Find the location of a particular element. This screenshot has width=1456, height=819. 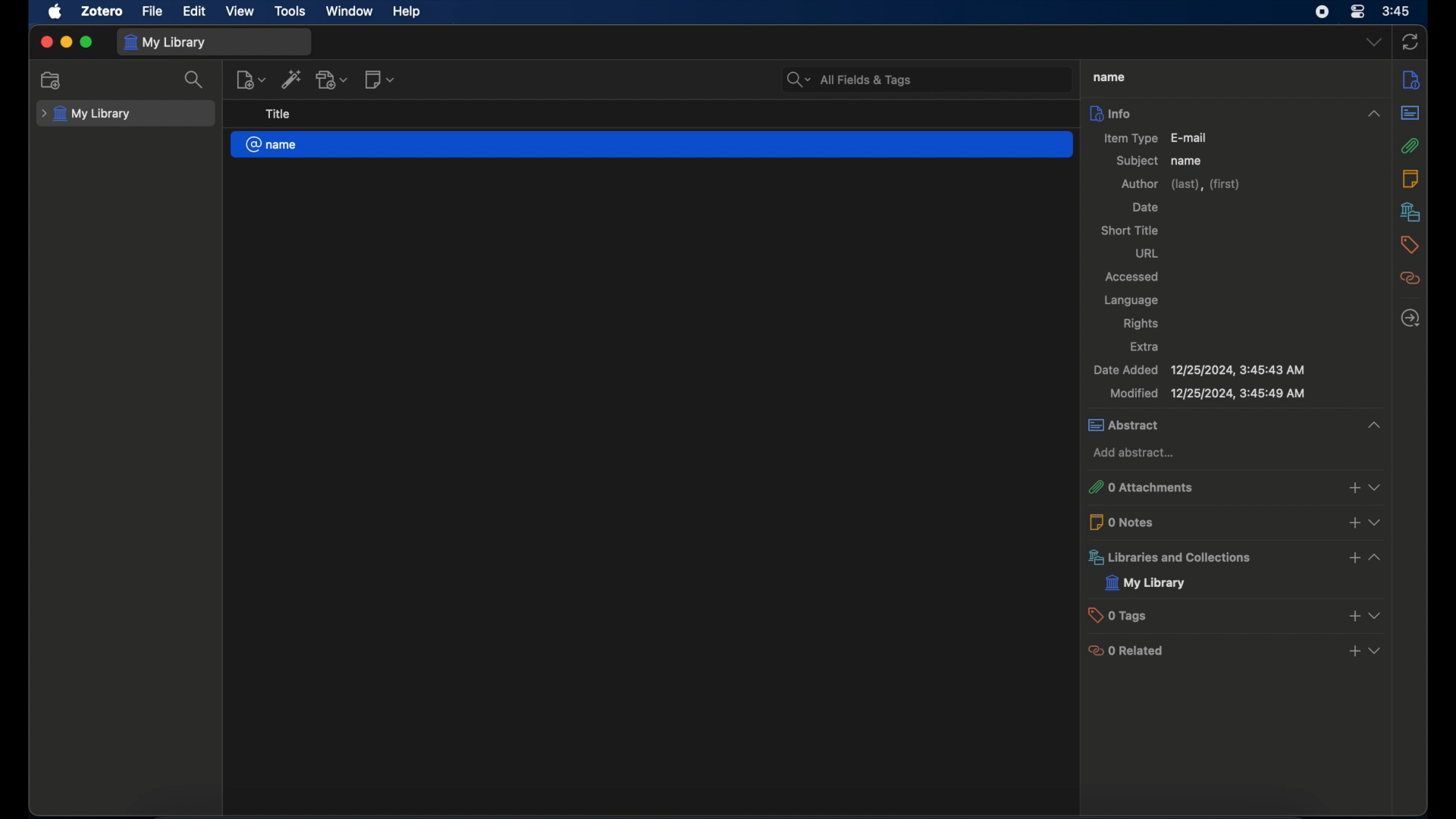

libraries is located at coordinates (1409, 212).